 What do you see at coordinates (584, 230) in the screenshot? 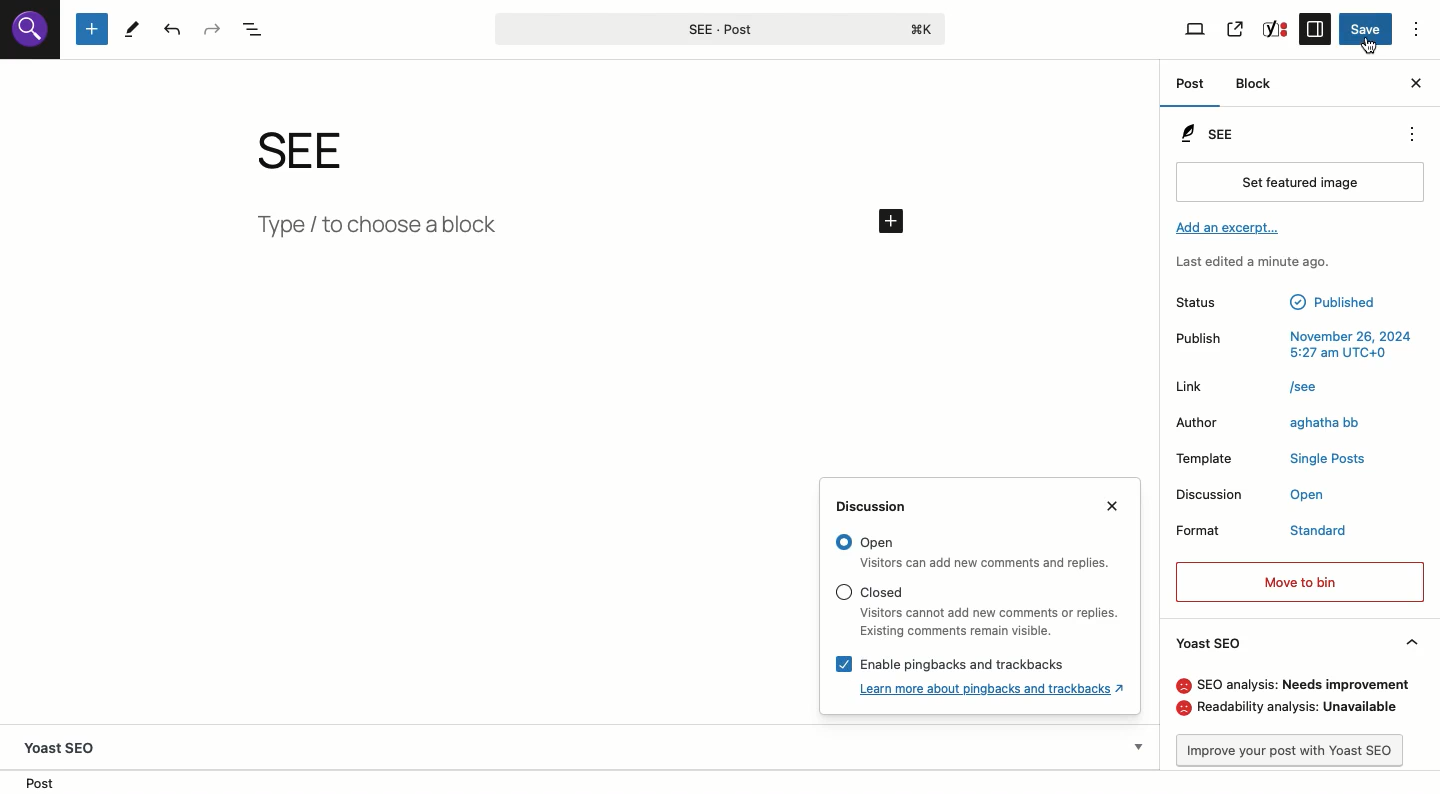
I see `type/Add new block` at bounding box center [584, 230].